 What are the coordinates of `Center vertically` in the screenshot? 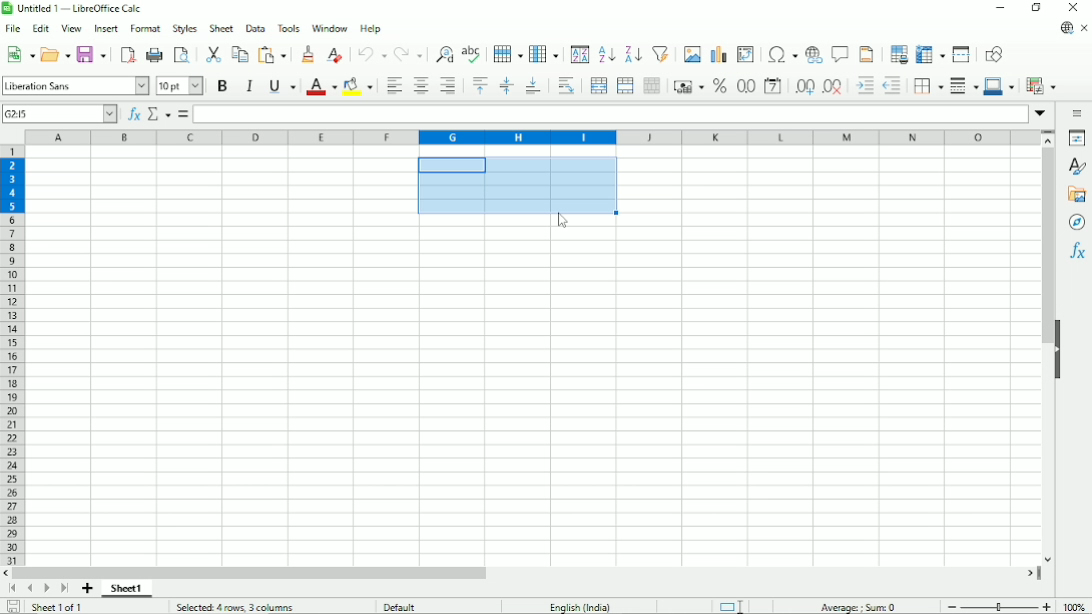 It's located at (506, 86).